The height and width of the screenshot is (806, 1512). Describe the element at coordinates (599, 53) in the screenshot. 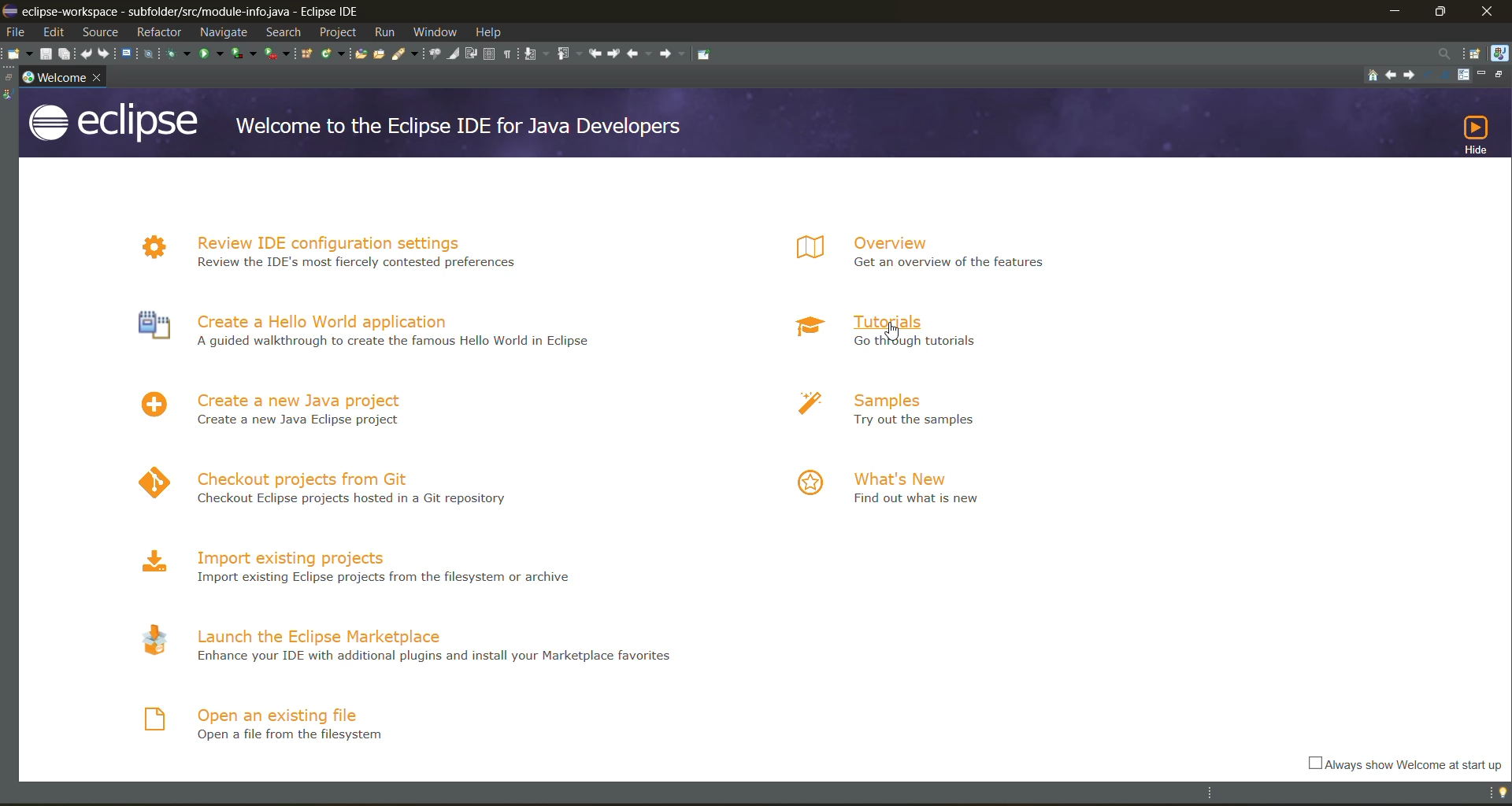

I see `previous edit location` at that location.